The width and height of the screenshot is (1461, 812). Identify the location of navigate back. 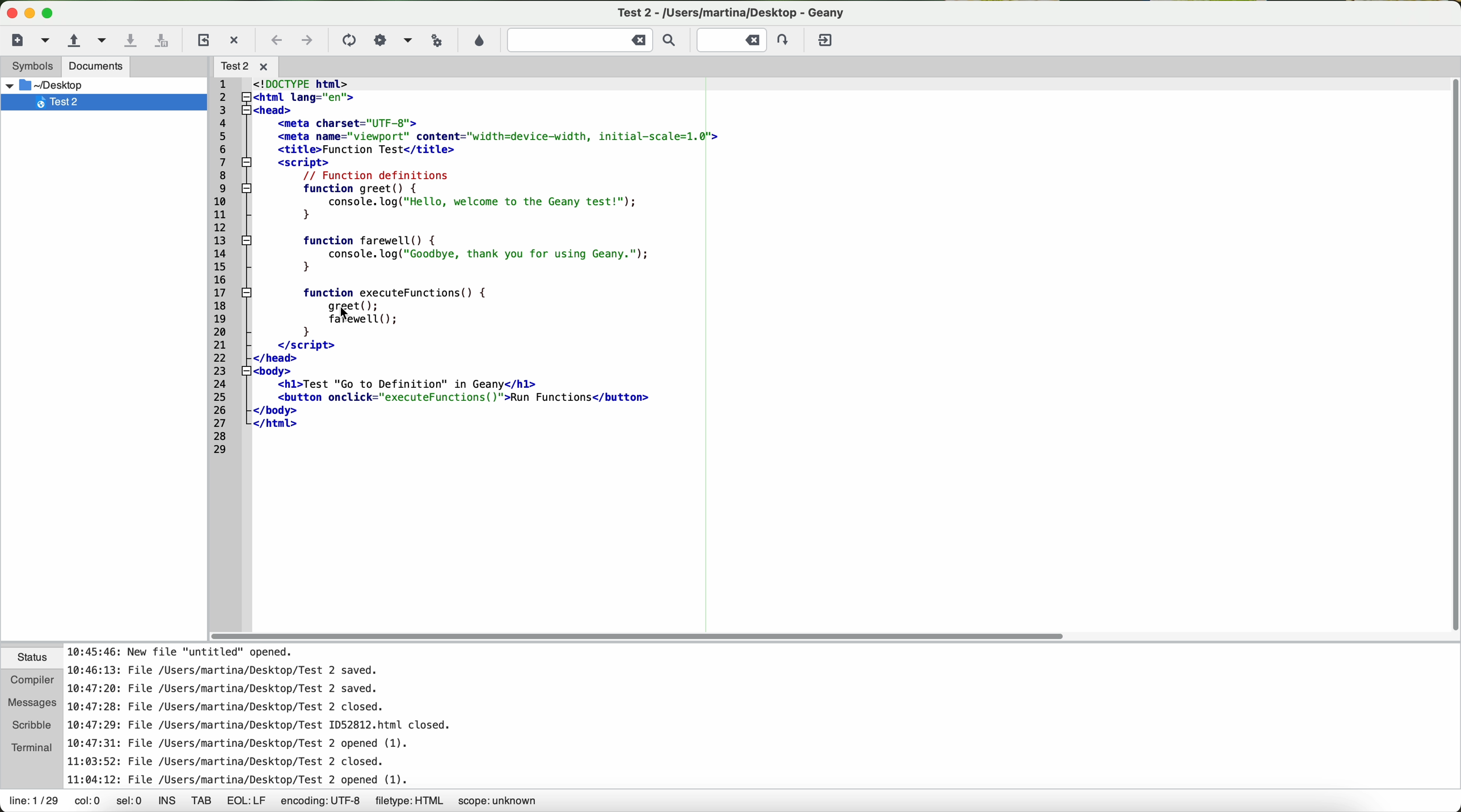
(277, 43).